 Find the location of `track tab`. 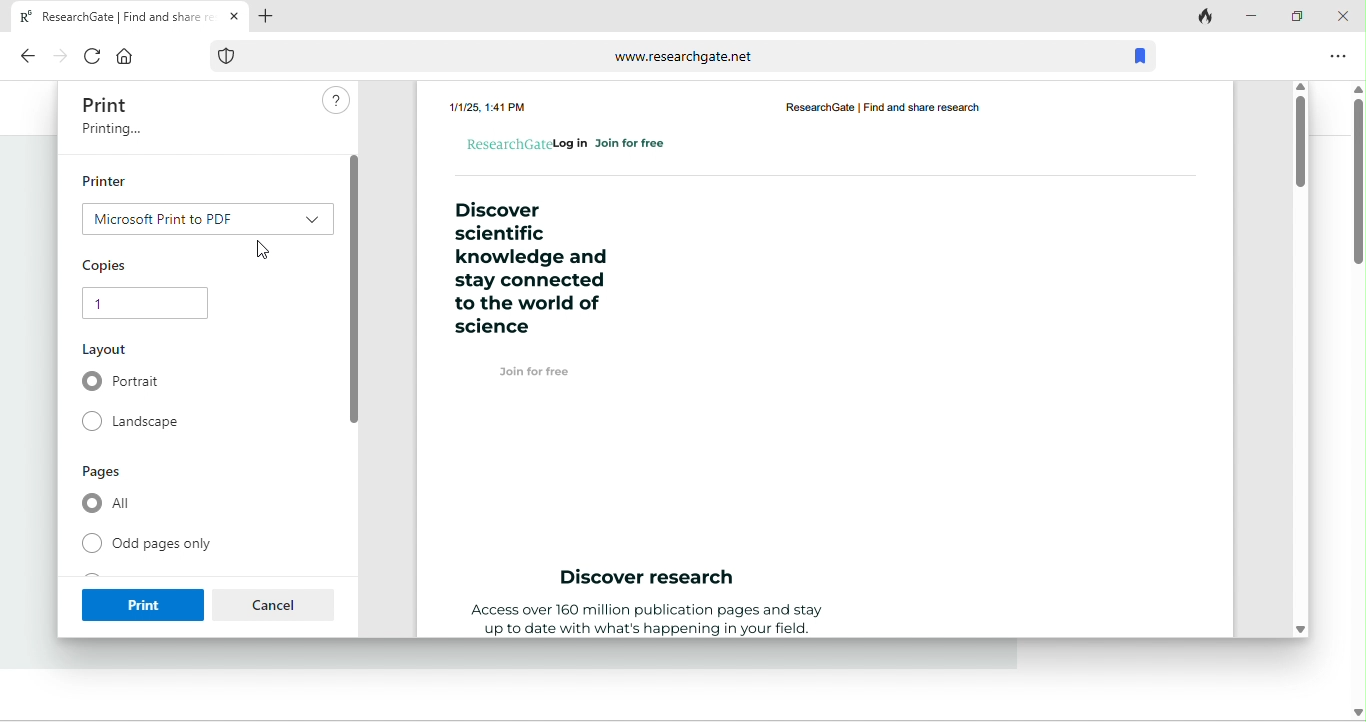

track tab is located at coordinates (1203, 15).